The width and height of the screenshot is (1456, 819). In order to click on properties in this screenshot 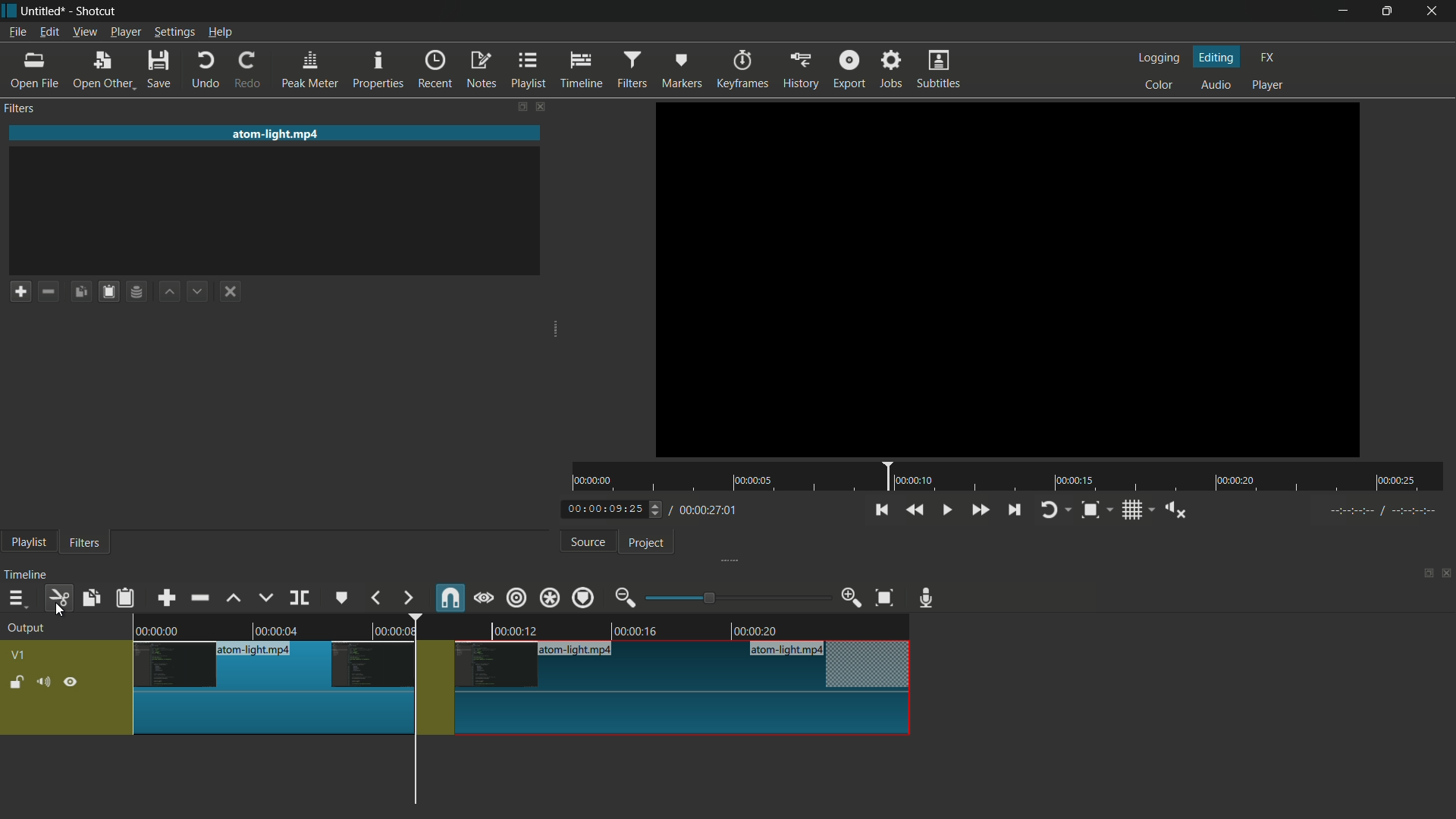, I will do `click(380, 71)`.